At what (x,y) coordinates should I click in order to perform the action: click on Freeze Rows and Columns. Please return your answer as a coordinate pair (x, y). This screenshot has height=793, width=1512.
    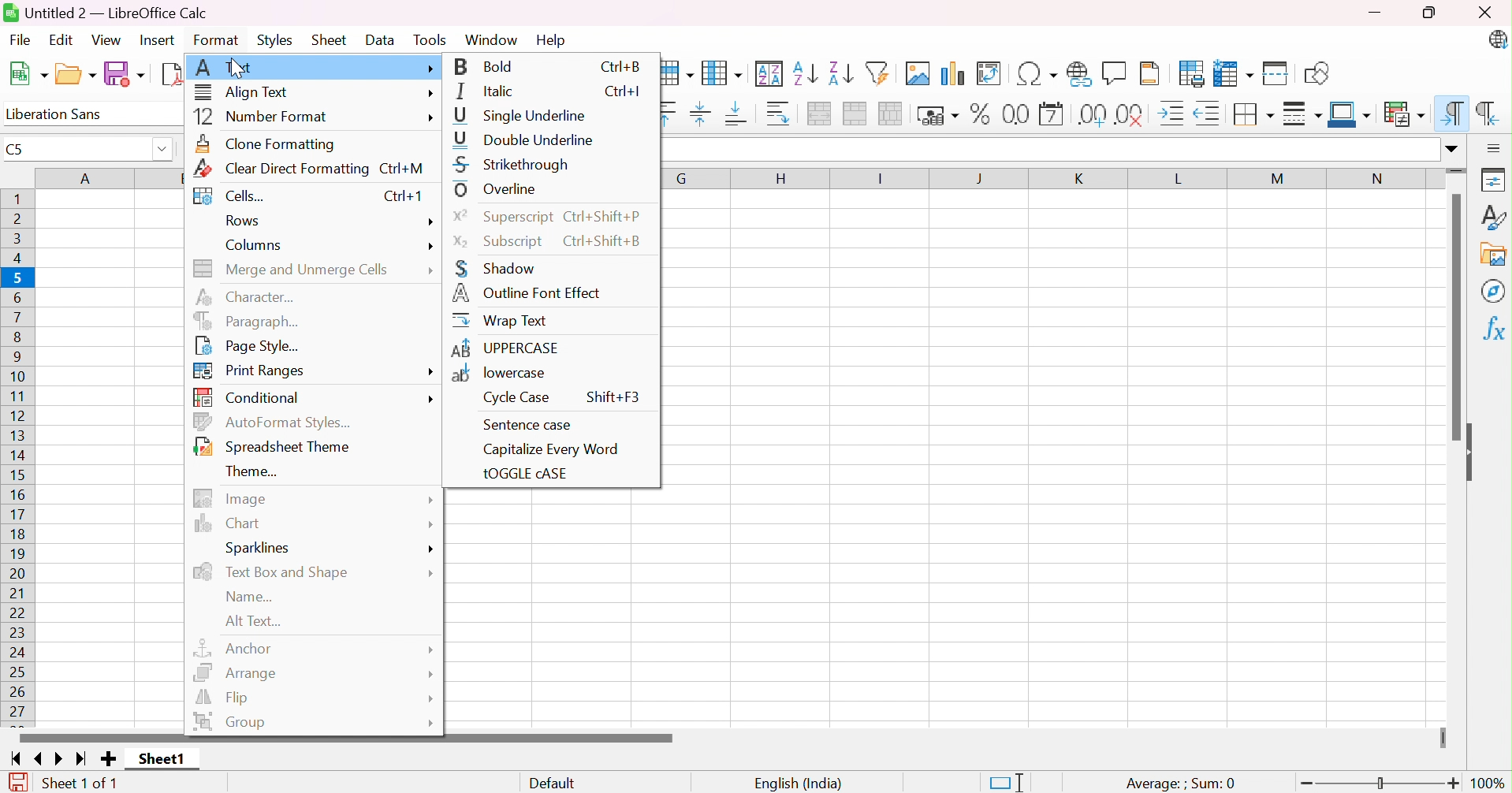
    Looking at the image, I should click on (1237, 72).